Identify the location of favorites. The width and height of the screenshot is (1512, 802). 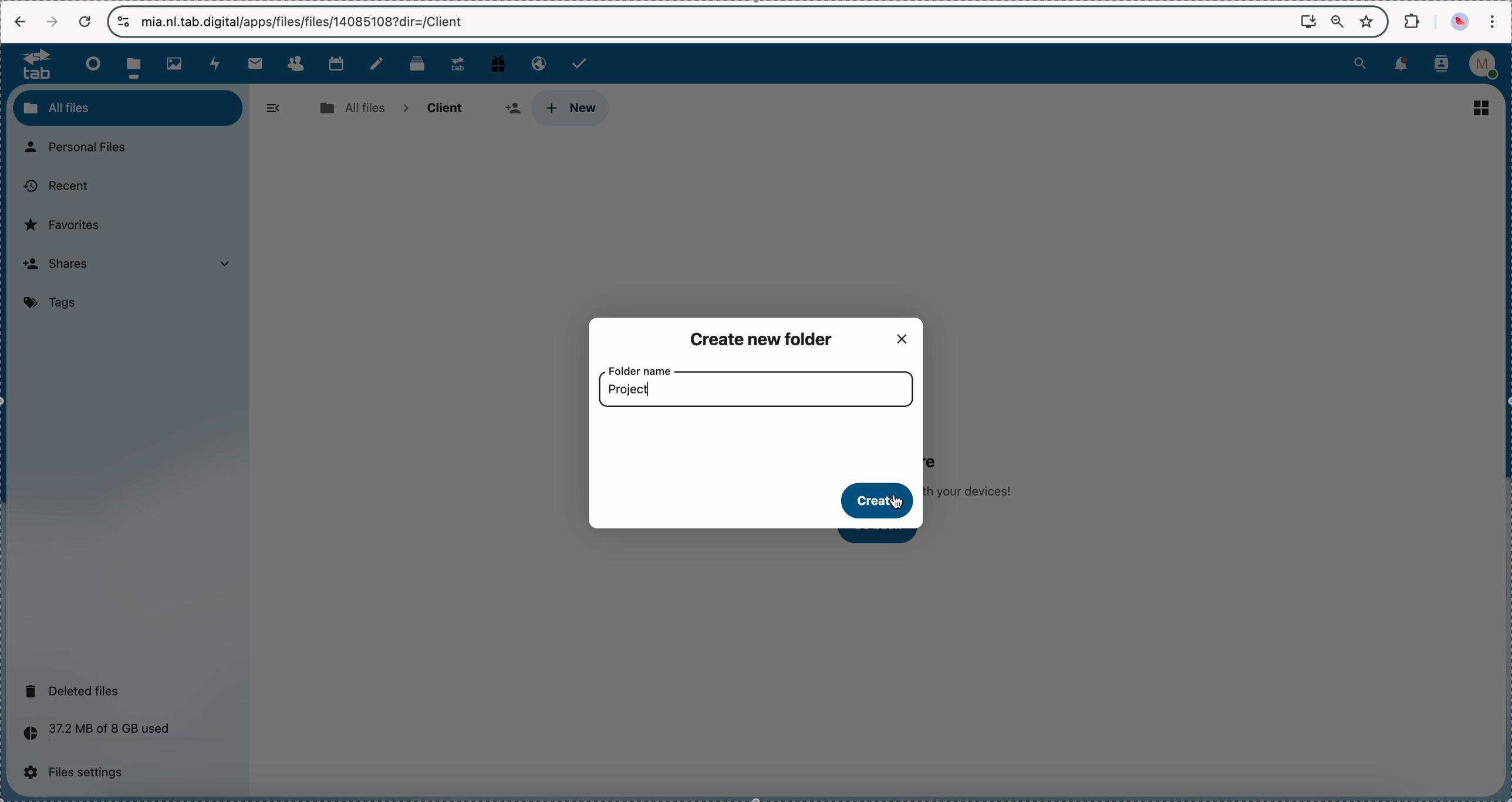
(66, 224).